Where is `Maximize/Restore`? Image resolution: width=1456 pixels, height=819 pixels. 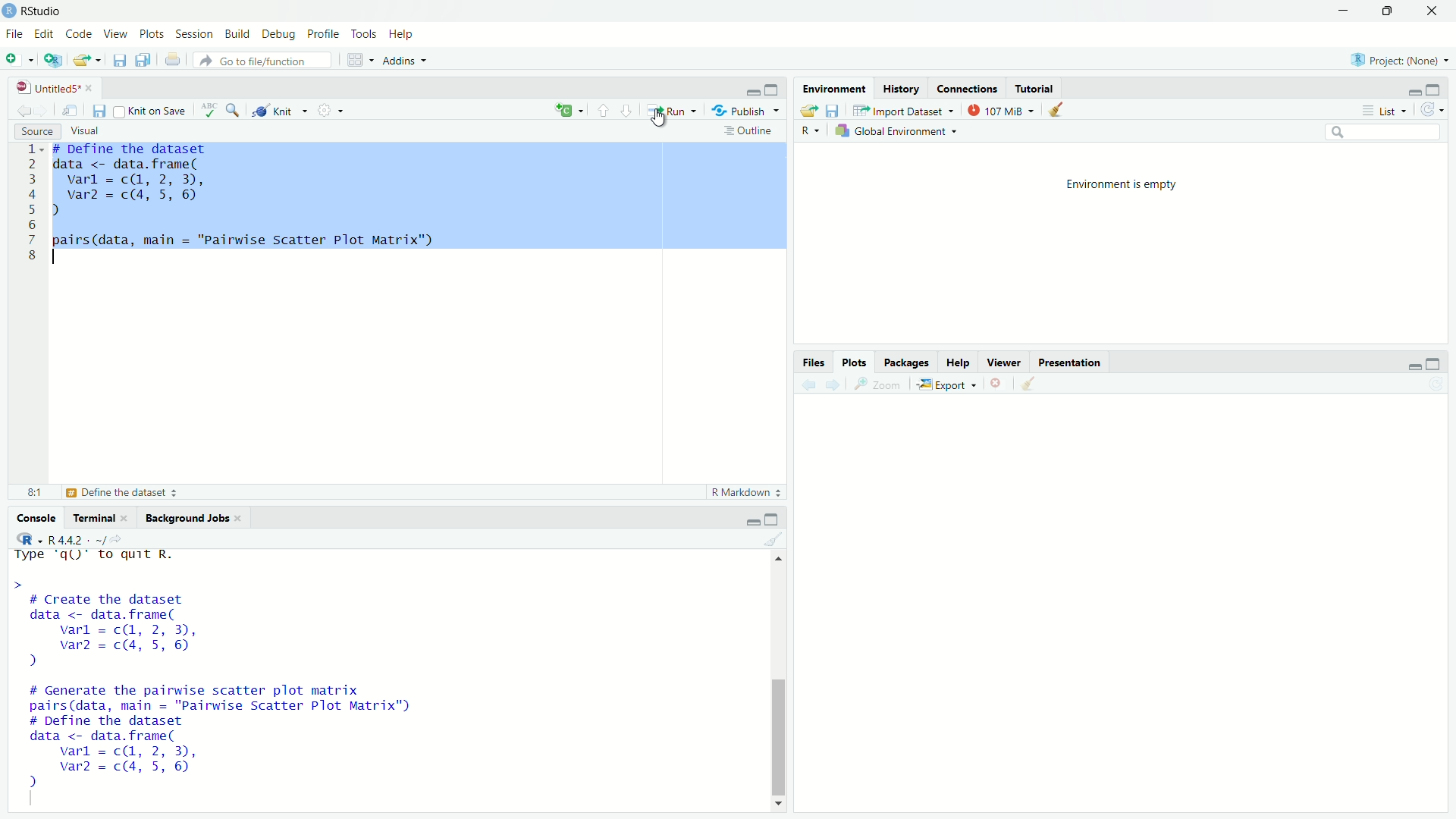
Maximize/Restore is located at coordinates (1388, 9).